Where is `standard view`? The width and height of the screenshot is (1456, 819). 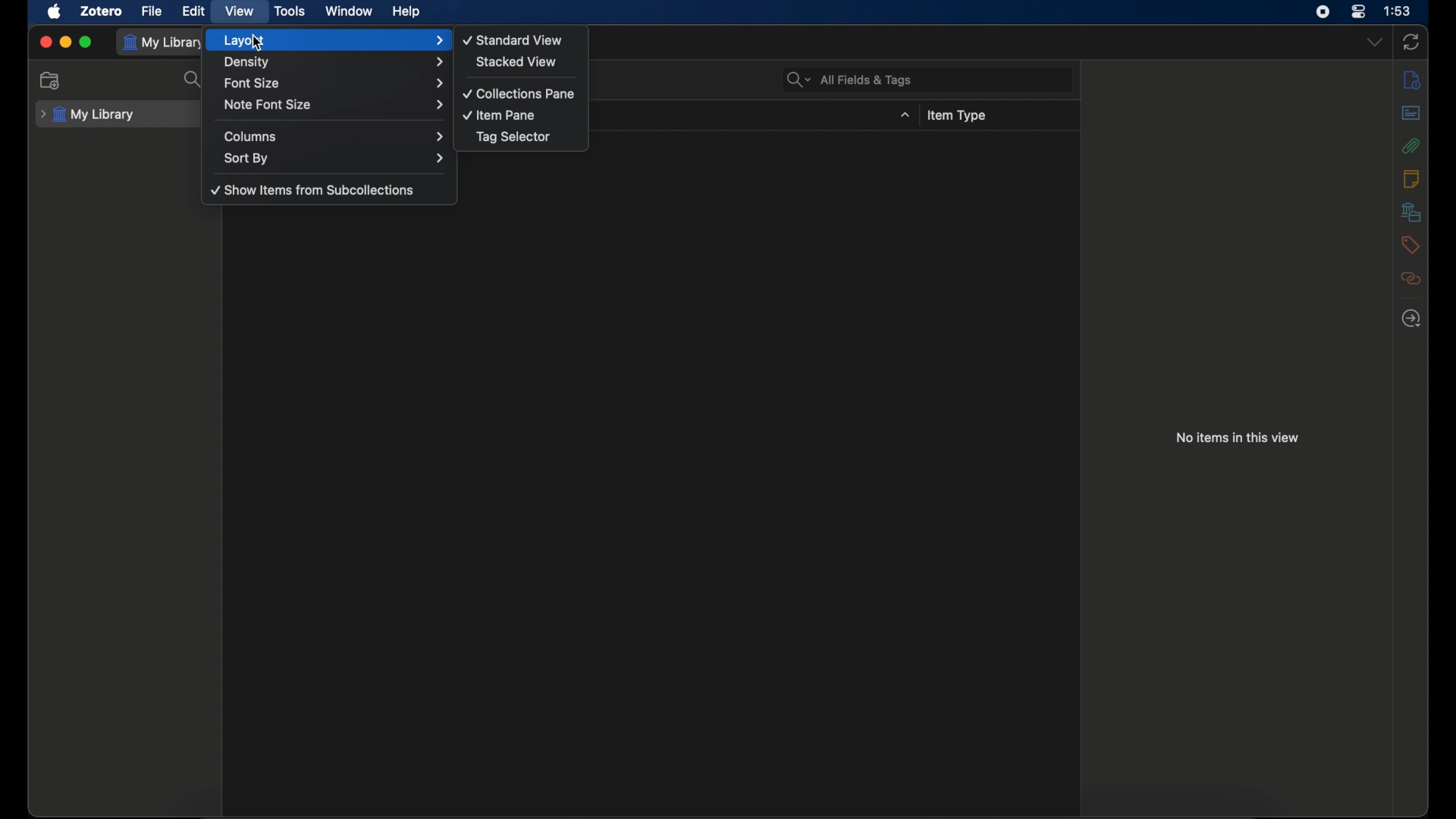 standard view is located at coordinates (514, 39).